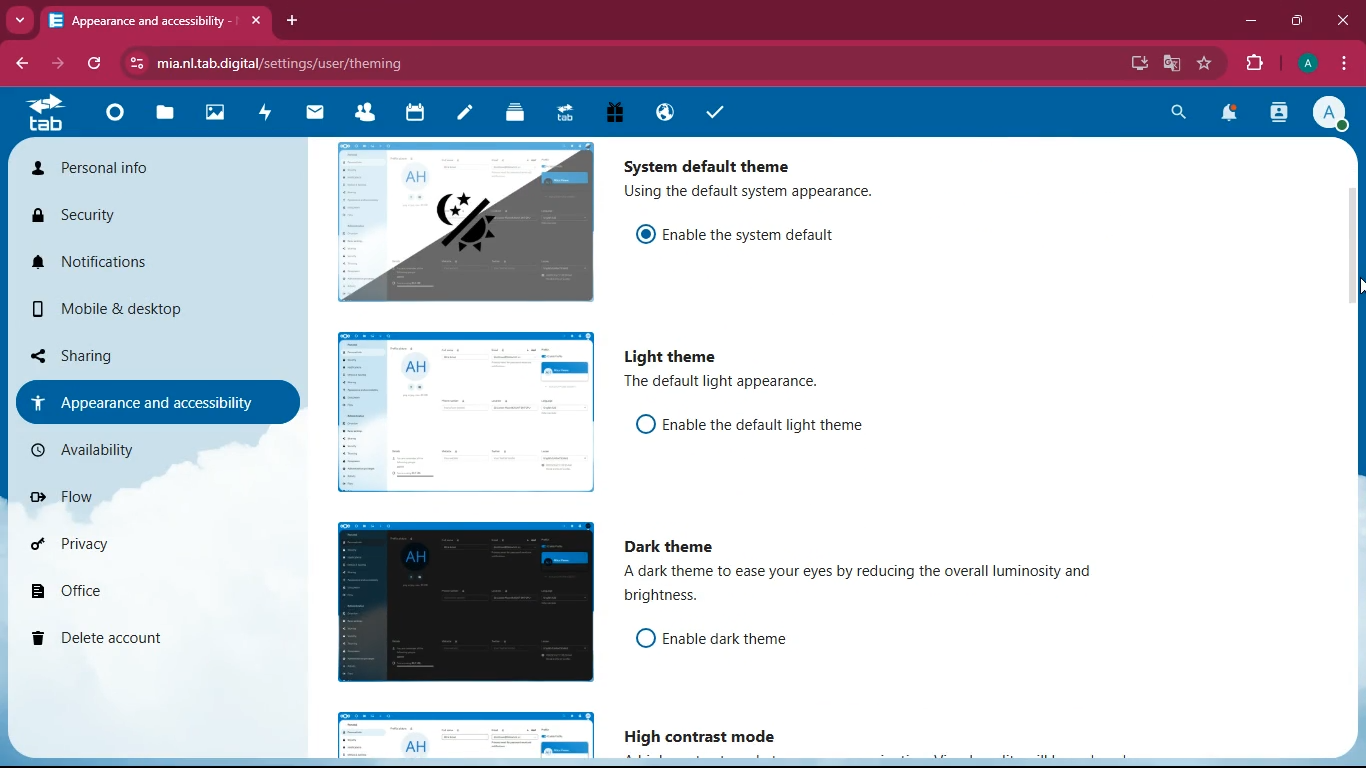 Image resolution: width=1366 pixels, height=768 pixels. What do you see at coordinates (614, 112) in the screenshot?
I see `gift` at bounding box center [614, 112].